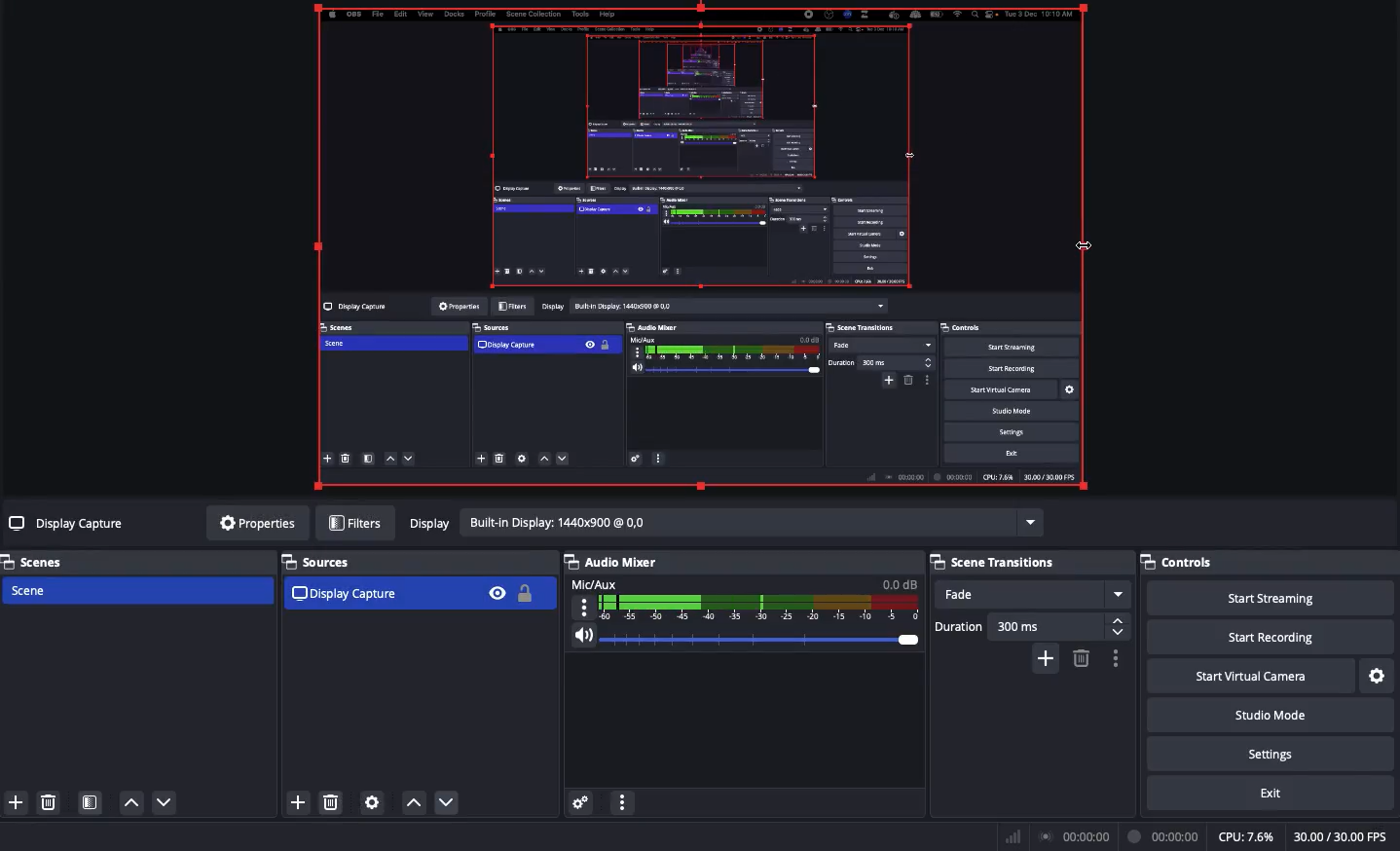 This screenshot has width=1400, height=851. What do you see at coordinates (740, 641) in the screenshot?
I see `Volume` at bounding box center [740, 641].